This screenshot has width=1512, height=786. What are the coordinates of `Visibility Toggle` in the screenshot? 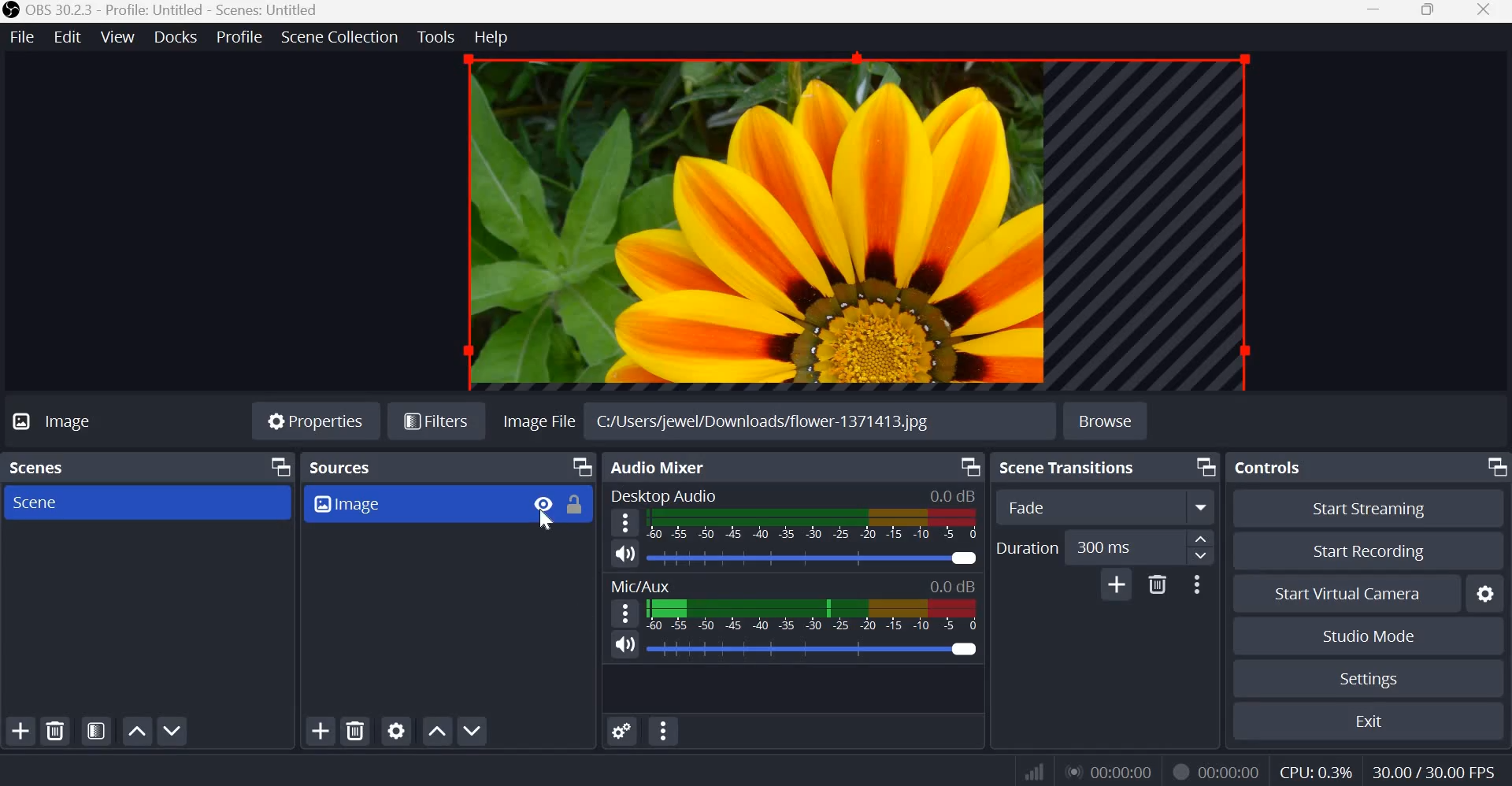 It's located at (544, 502).